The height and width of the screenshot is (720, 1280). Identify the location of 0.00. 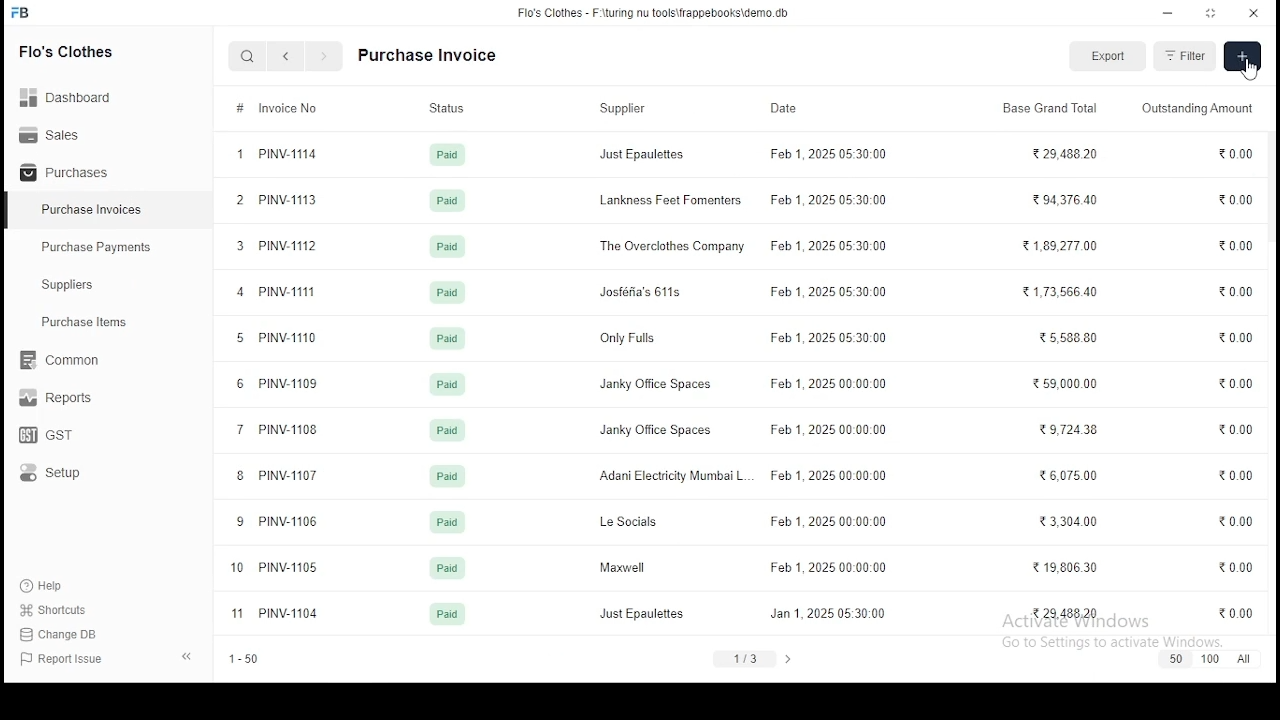
(1236, 201).